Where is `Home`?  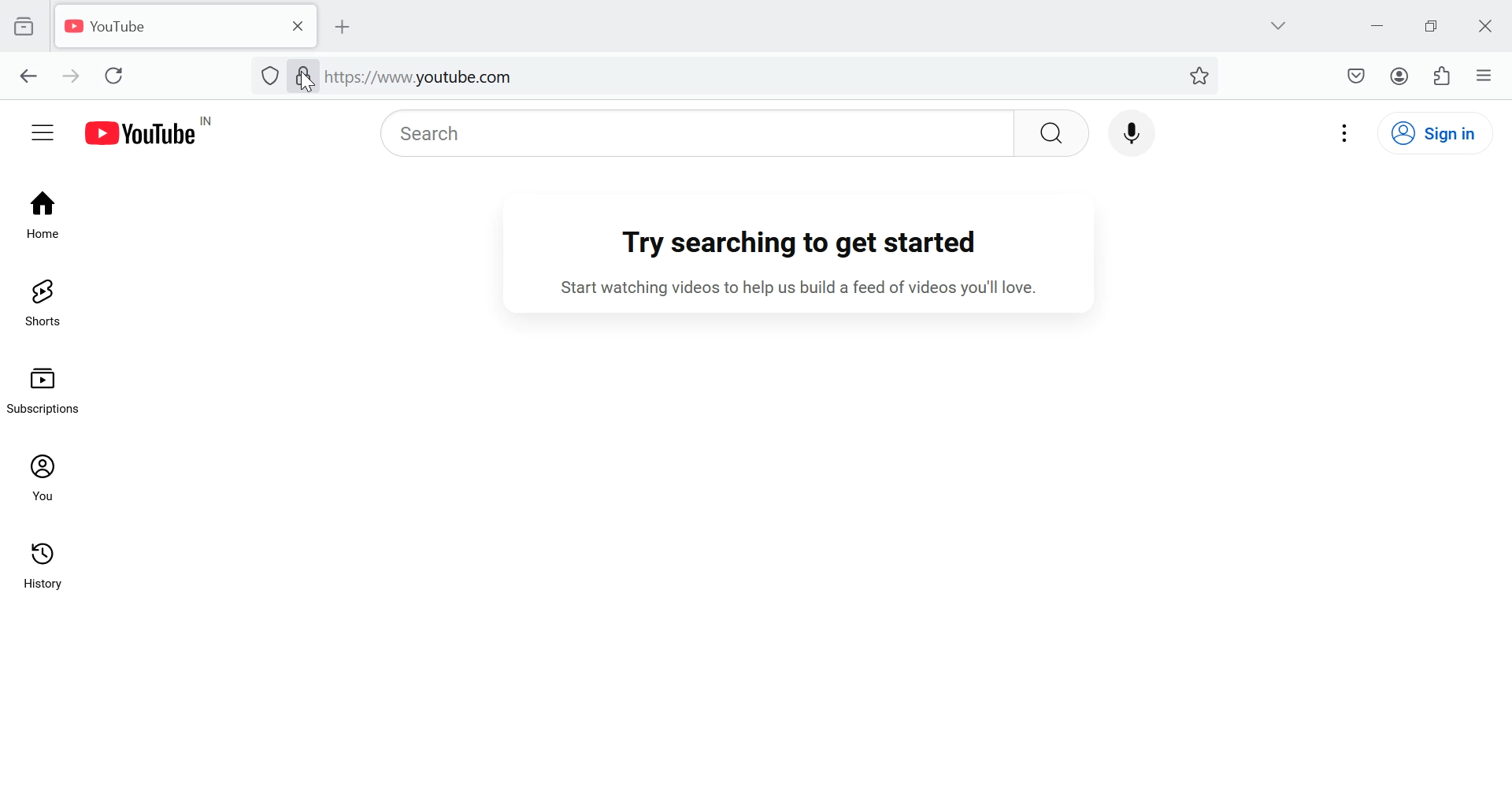 Home is located at coordinates (42, 212).